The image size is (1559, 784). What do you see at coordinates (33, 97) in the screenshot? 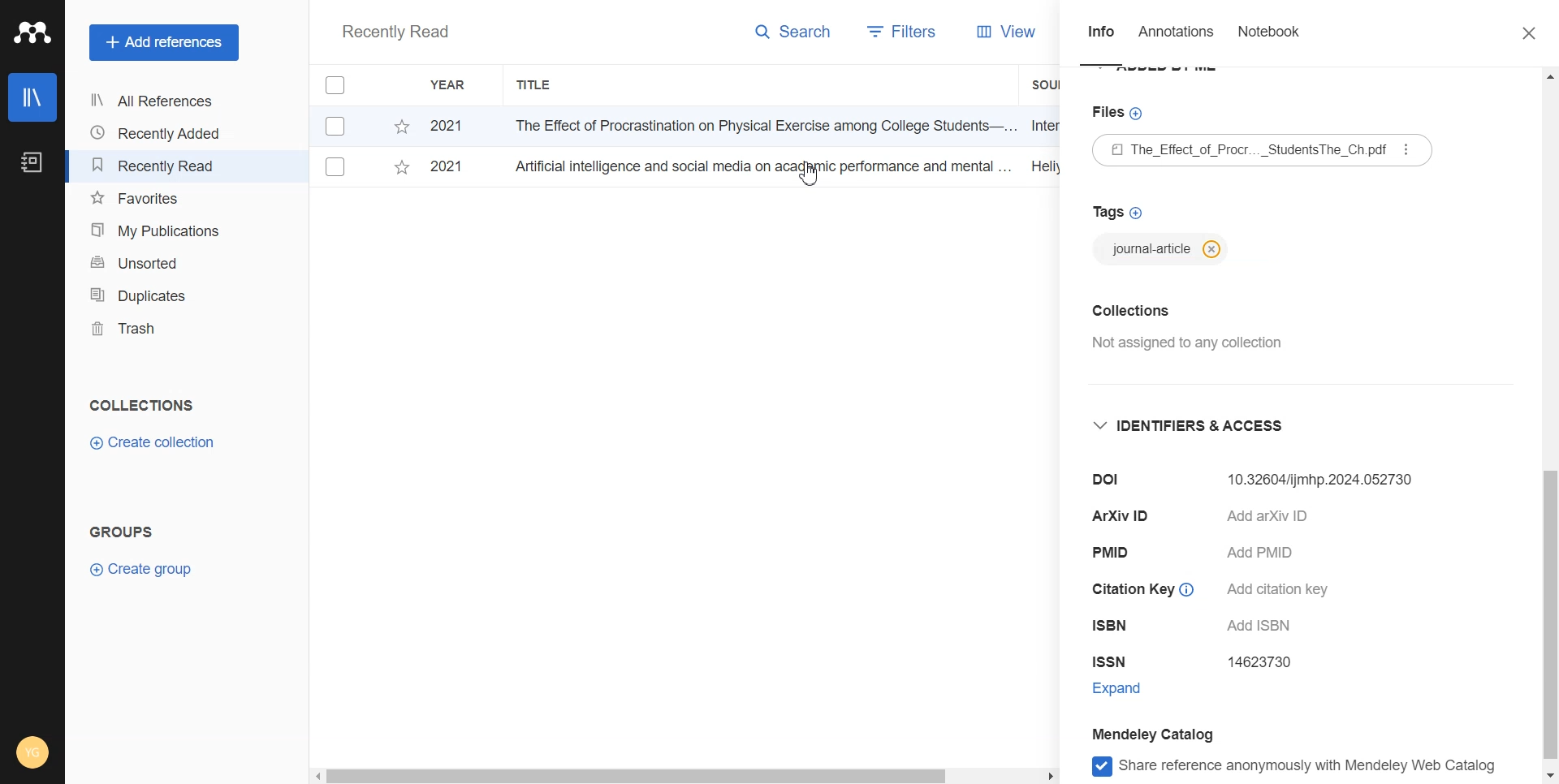
I see `Library` at bounding box center [33, 97].